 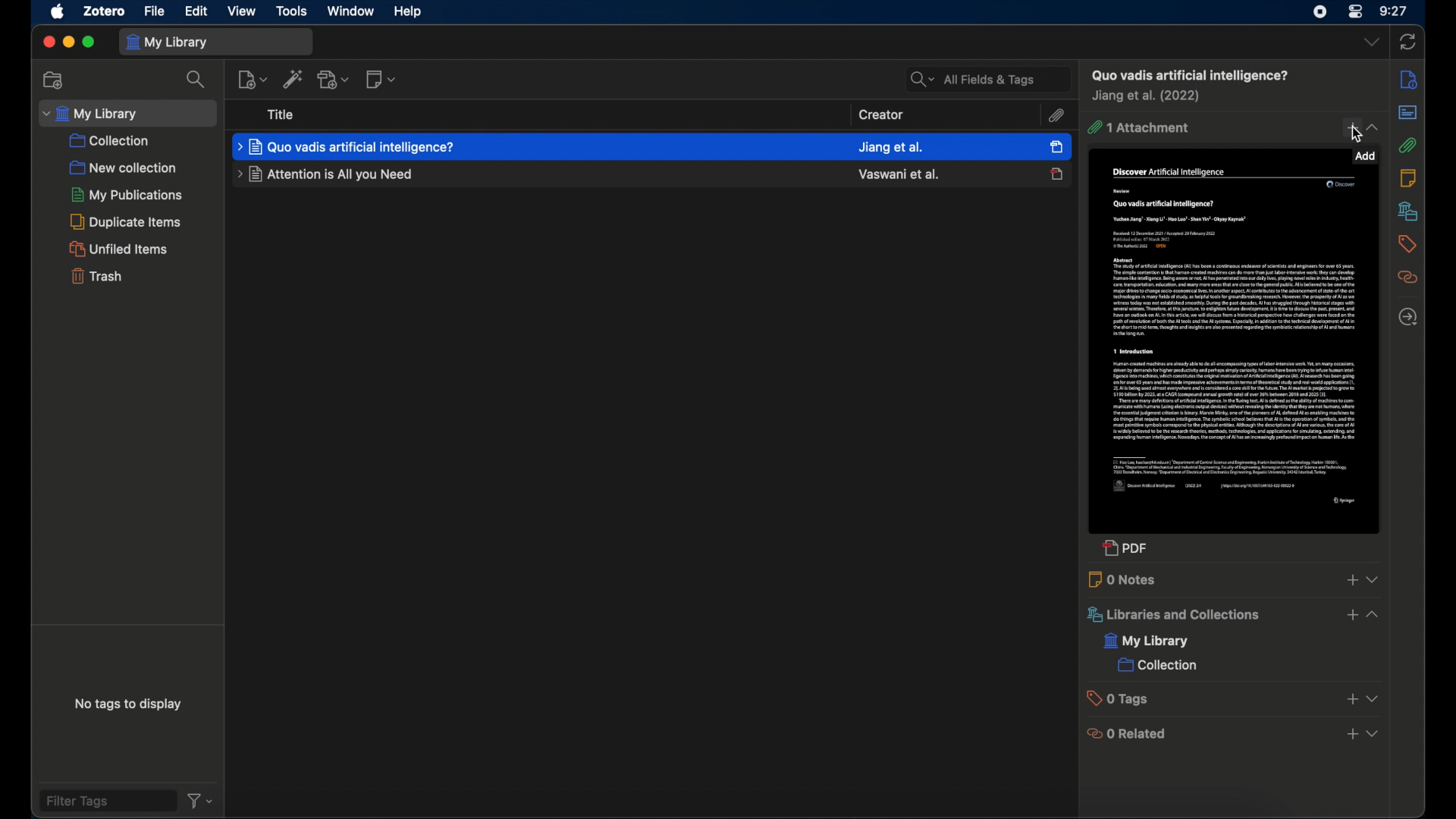 What do you see at coordinates (1188, 75) in the screenshot?
I see `item ` at bounding box center [1188, 75].